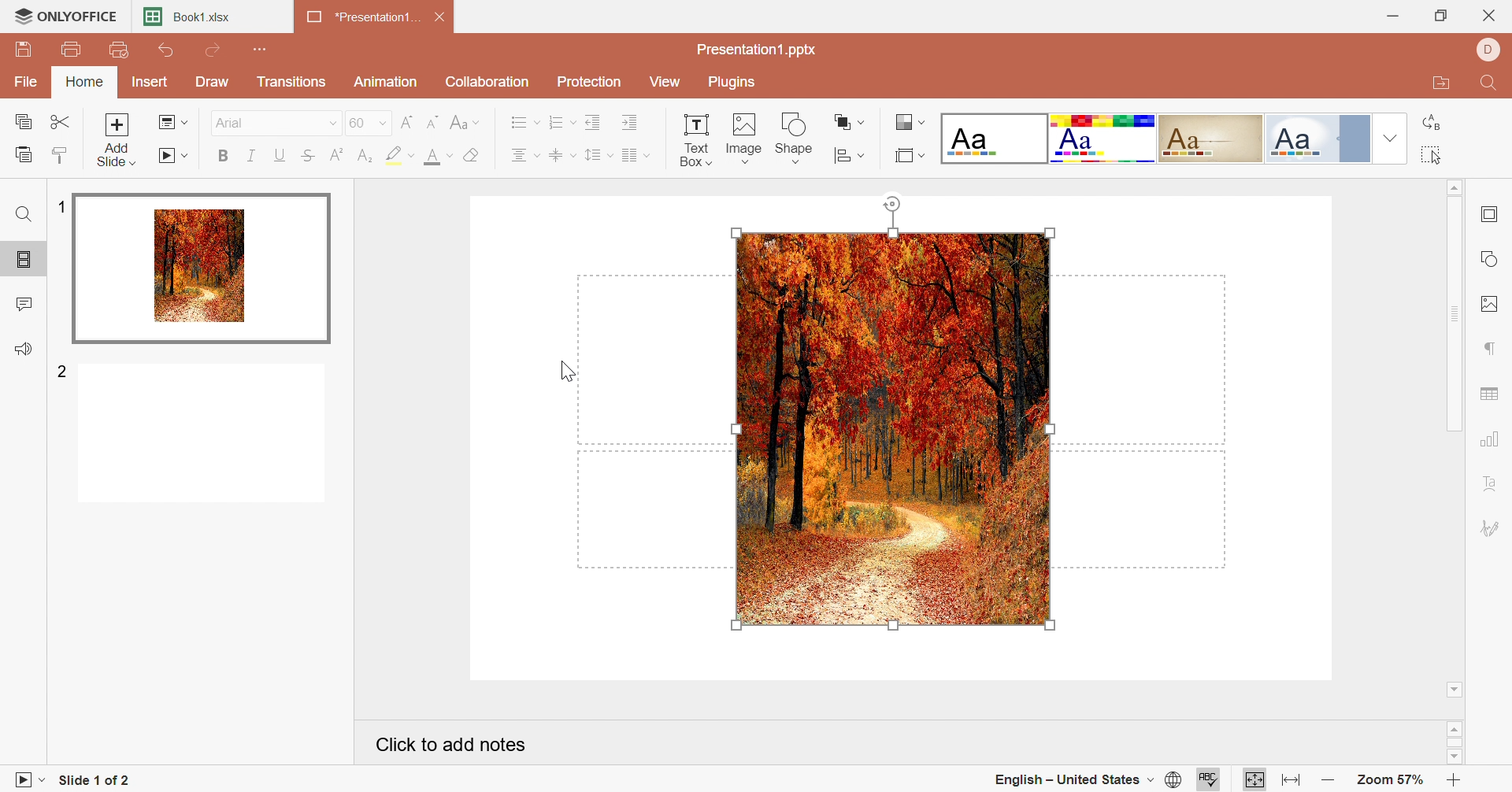  Describe the element at coordinates (168, 51) in the screenshot. I see `Undo` at that location.